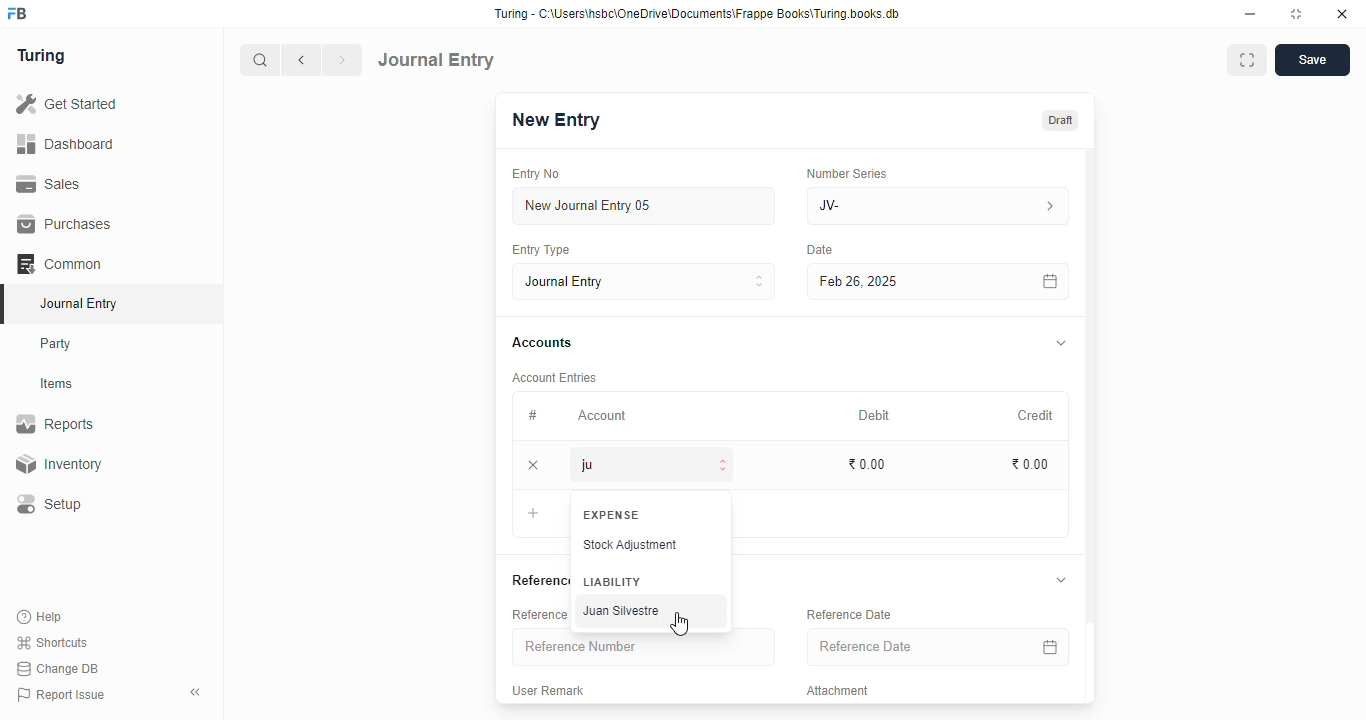 This screenshot has width=1366, height=720. Describe the element at coordinates (630, 545) in the screenshot. I see `stock adjustment` at that location.